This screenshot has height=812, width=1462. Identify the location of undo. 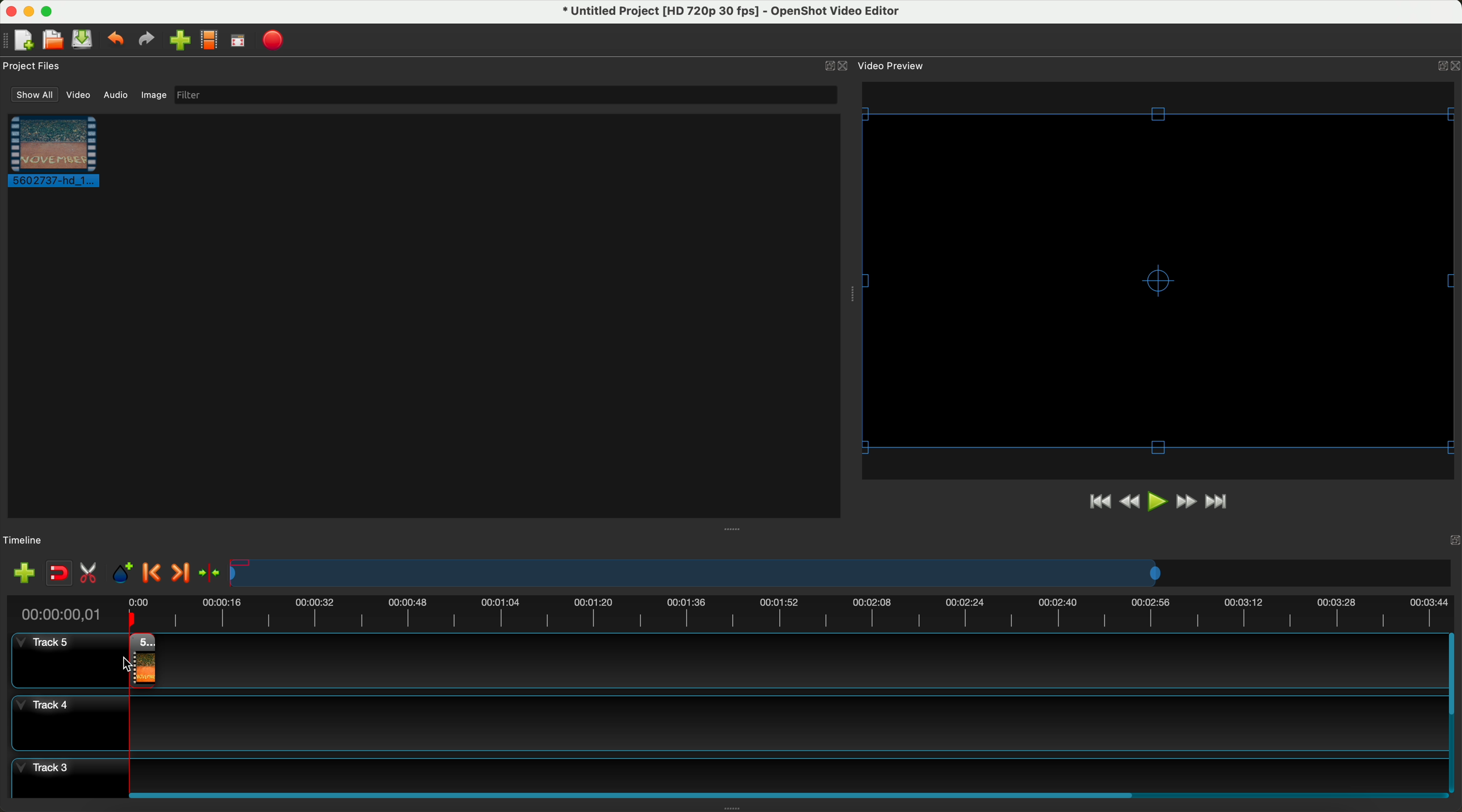
(116, 40).